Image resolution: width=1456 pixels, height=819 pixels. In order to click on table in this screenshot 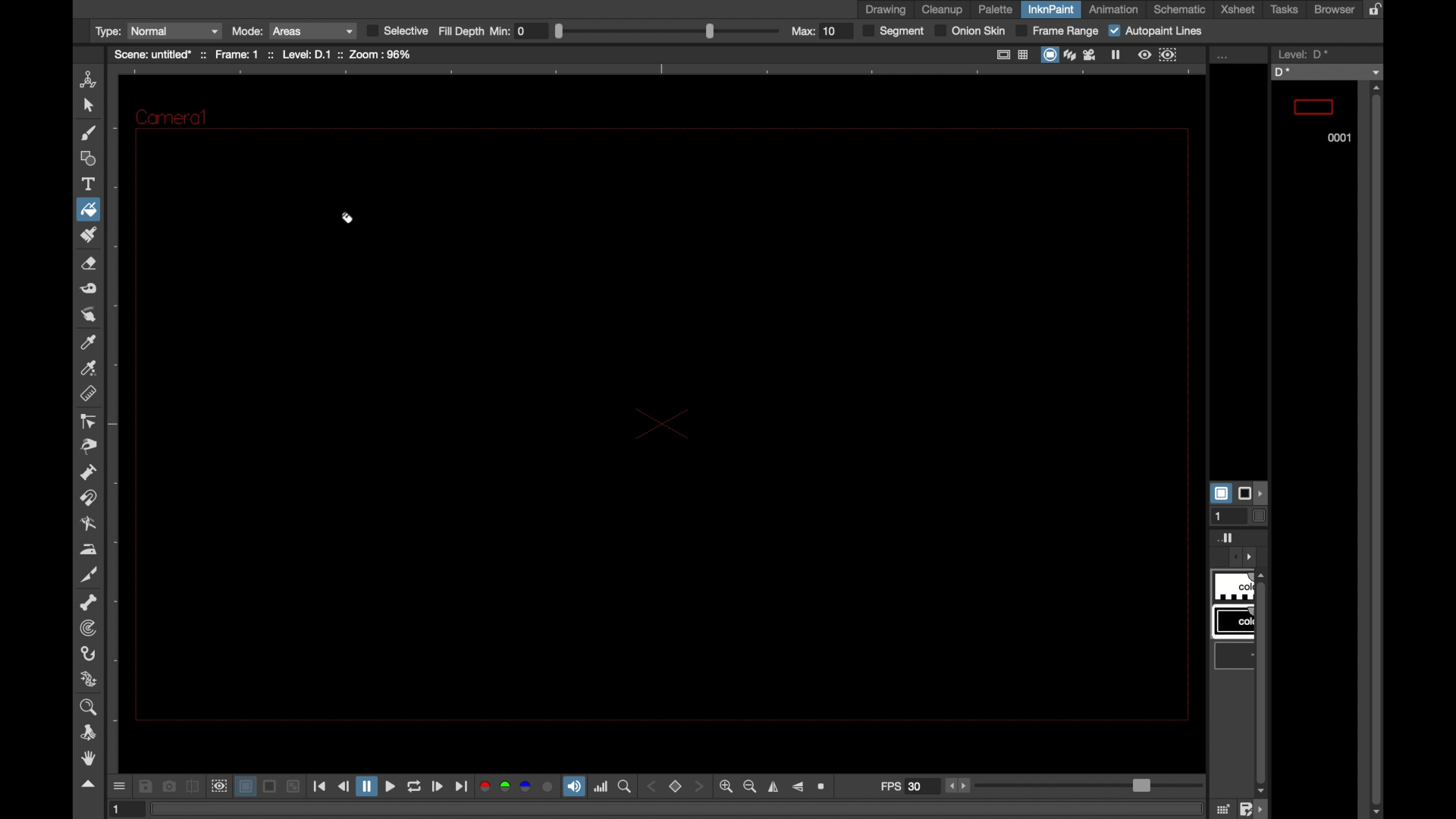, I will do `click(1025, 53)`.